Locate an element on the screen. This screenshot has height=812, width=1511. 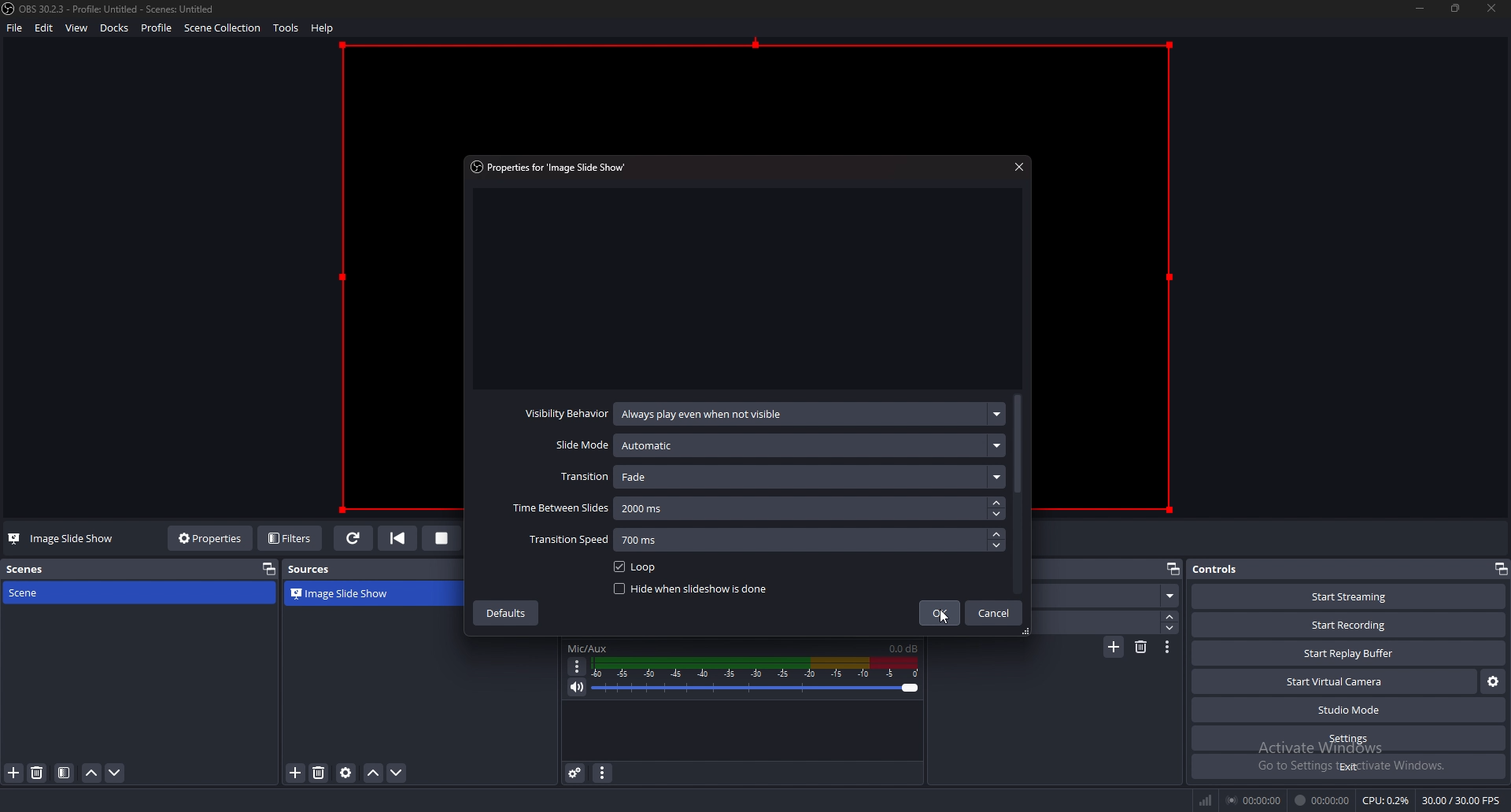
volume level is located at coordinates (903, 648).